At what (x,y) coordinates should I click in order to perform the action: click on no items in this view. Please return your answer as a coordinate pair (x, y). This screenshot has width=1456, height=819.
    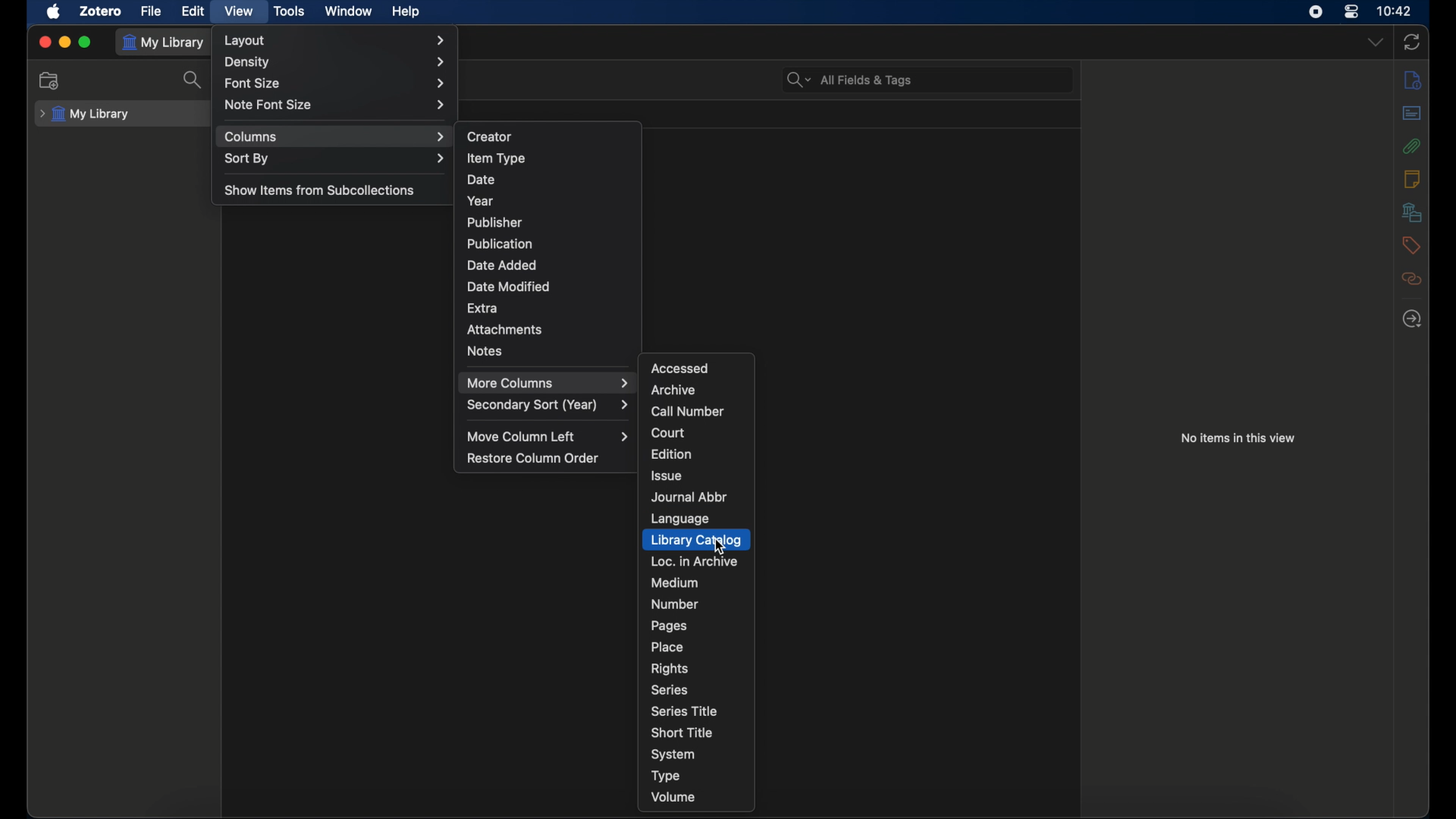
    Looking at the image, I should click on (1238, 438).